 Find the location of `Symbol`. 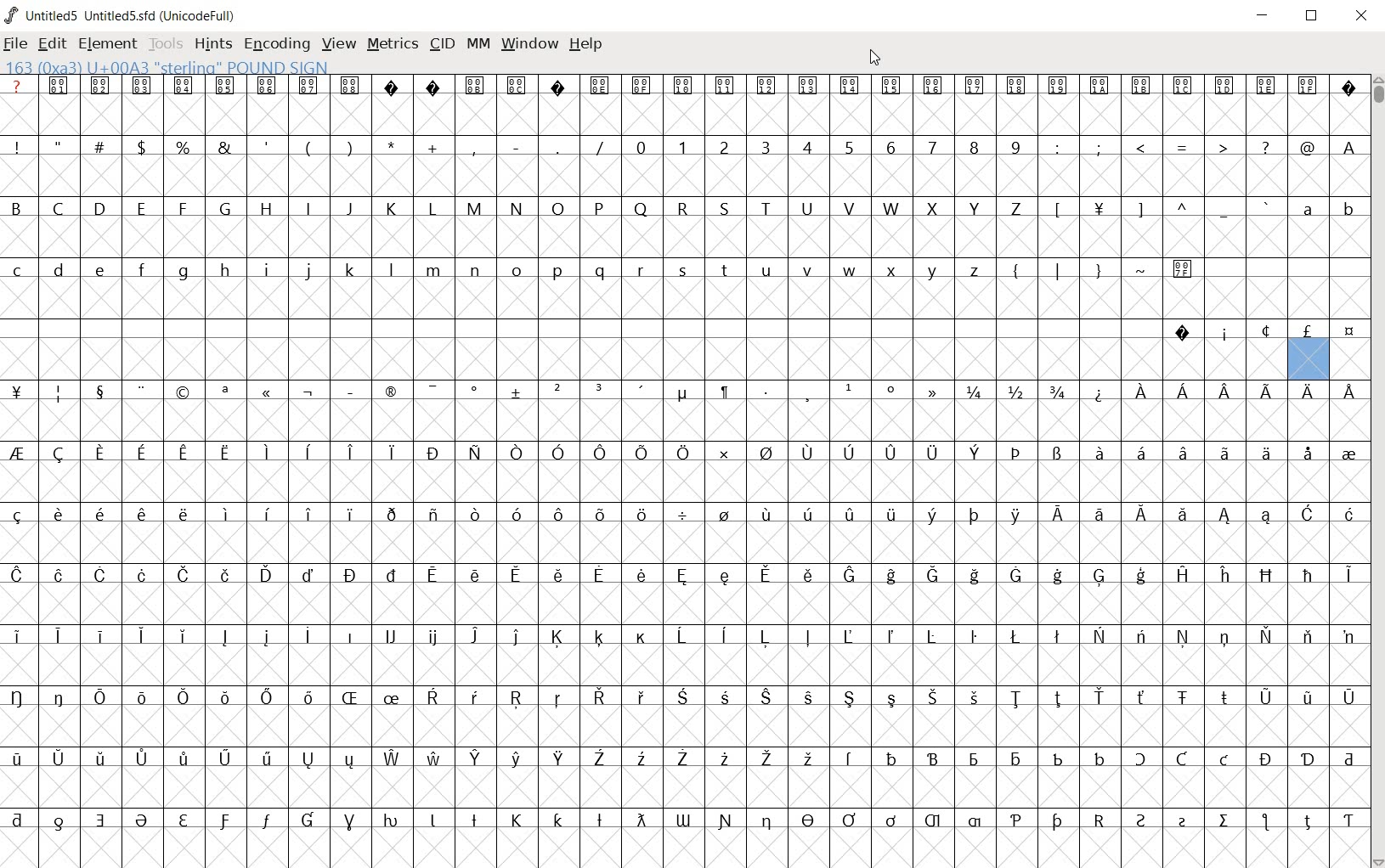

Symbol is located at coordinates (140, 391).